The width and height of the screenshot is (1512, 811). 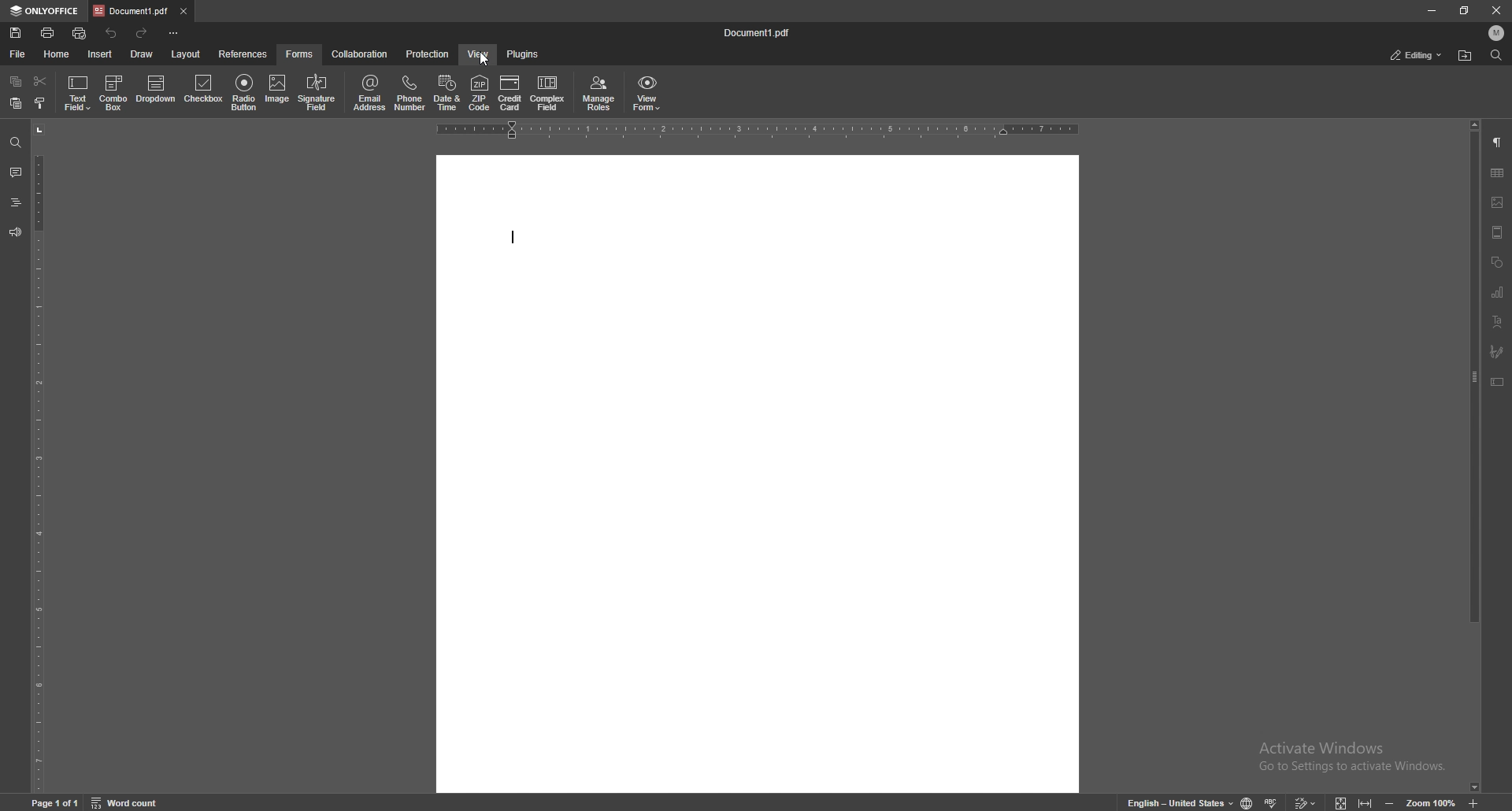 I want to click on onlyoffice, so click(x=44, y=10).